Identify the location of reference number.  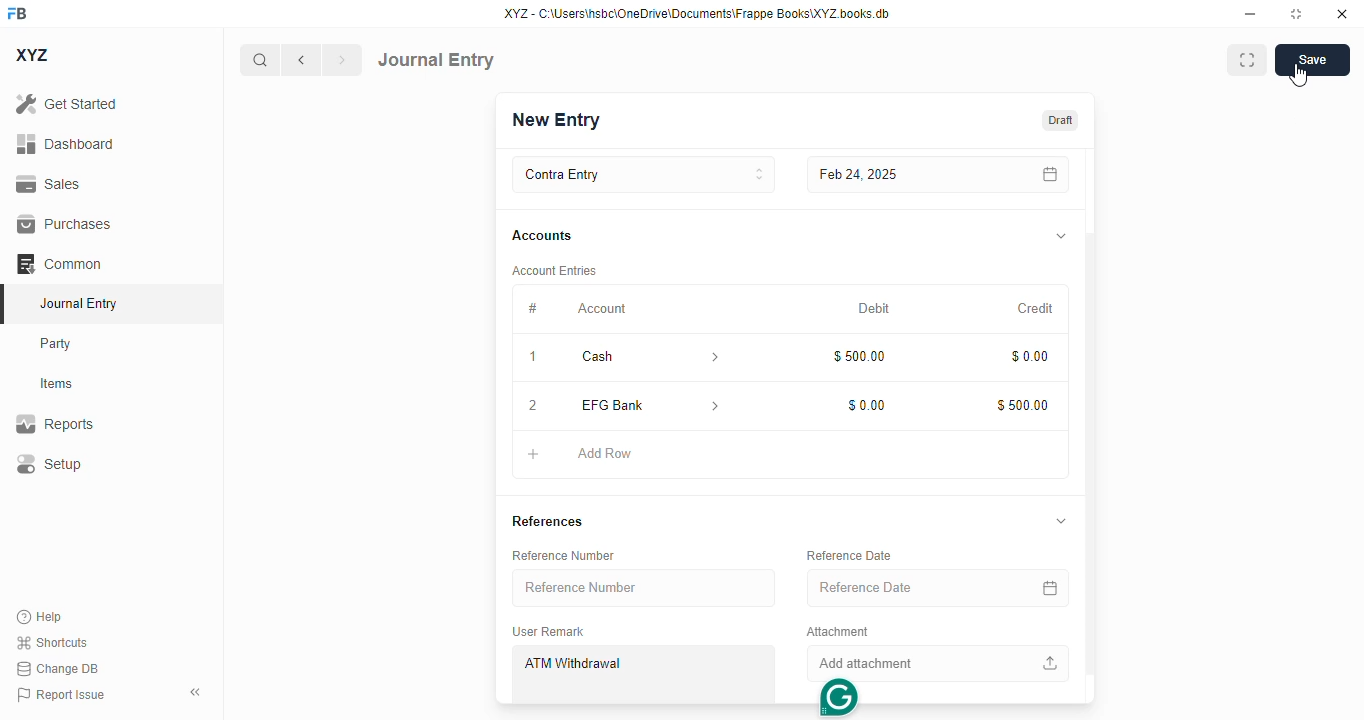
(645, 588).